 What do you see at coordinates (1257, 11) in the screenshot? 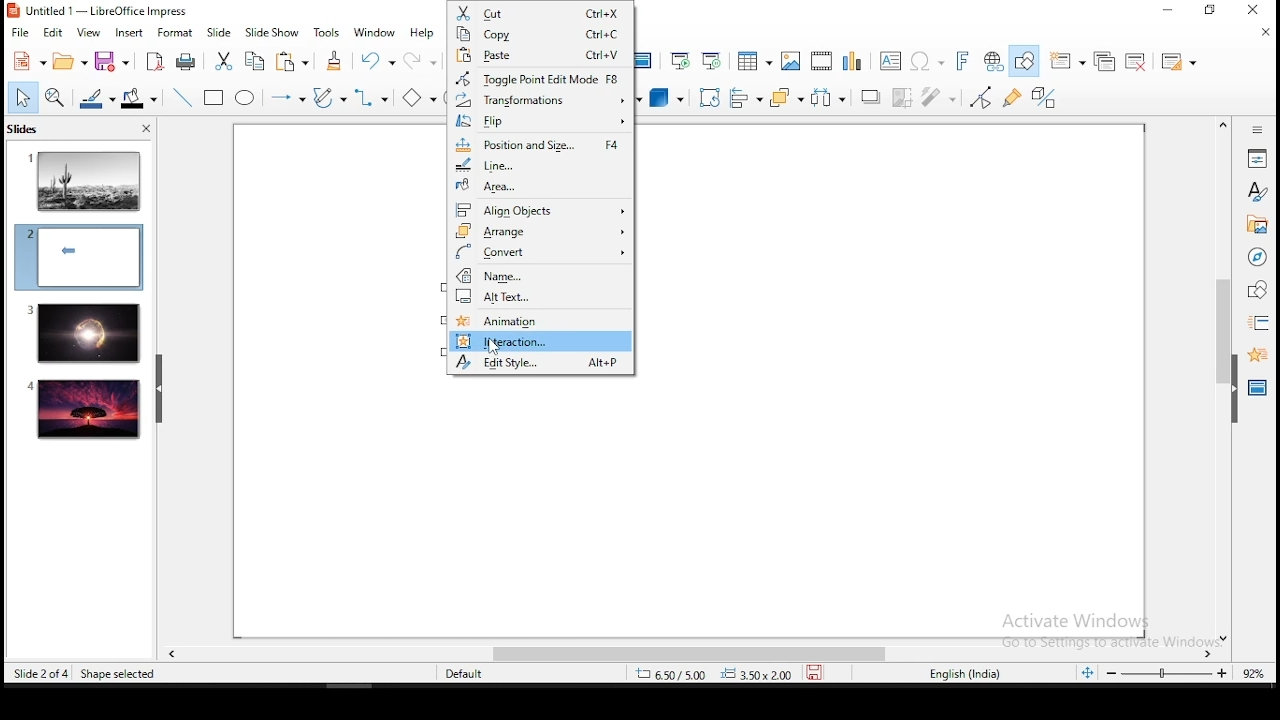
I see `close window` at bounding box center [1257, 11].